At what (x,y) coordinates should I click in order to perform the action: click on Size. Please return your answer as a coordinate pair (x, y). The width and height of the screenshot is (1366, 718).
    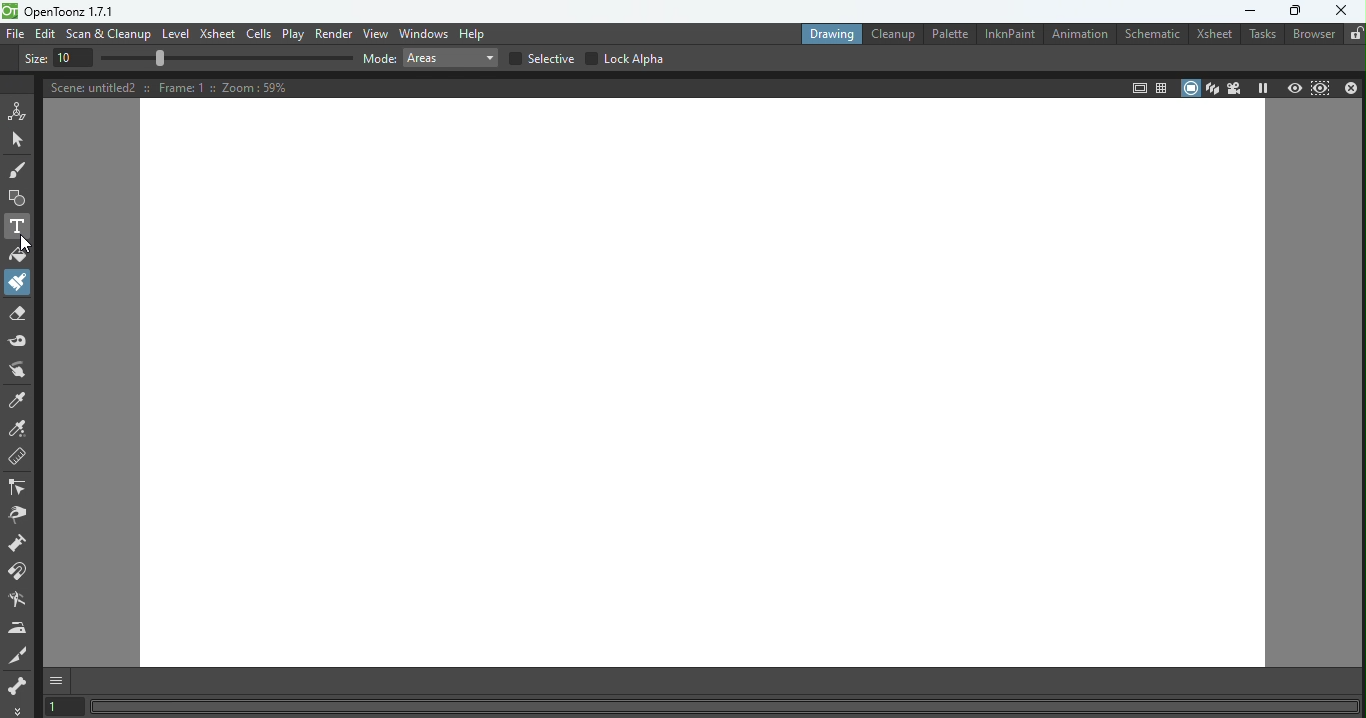
    Looking at the image, I should click on (34, 58).